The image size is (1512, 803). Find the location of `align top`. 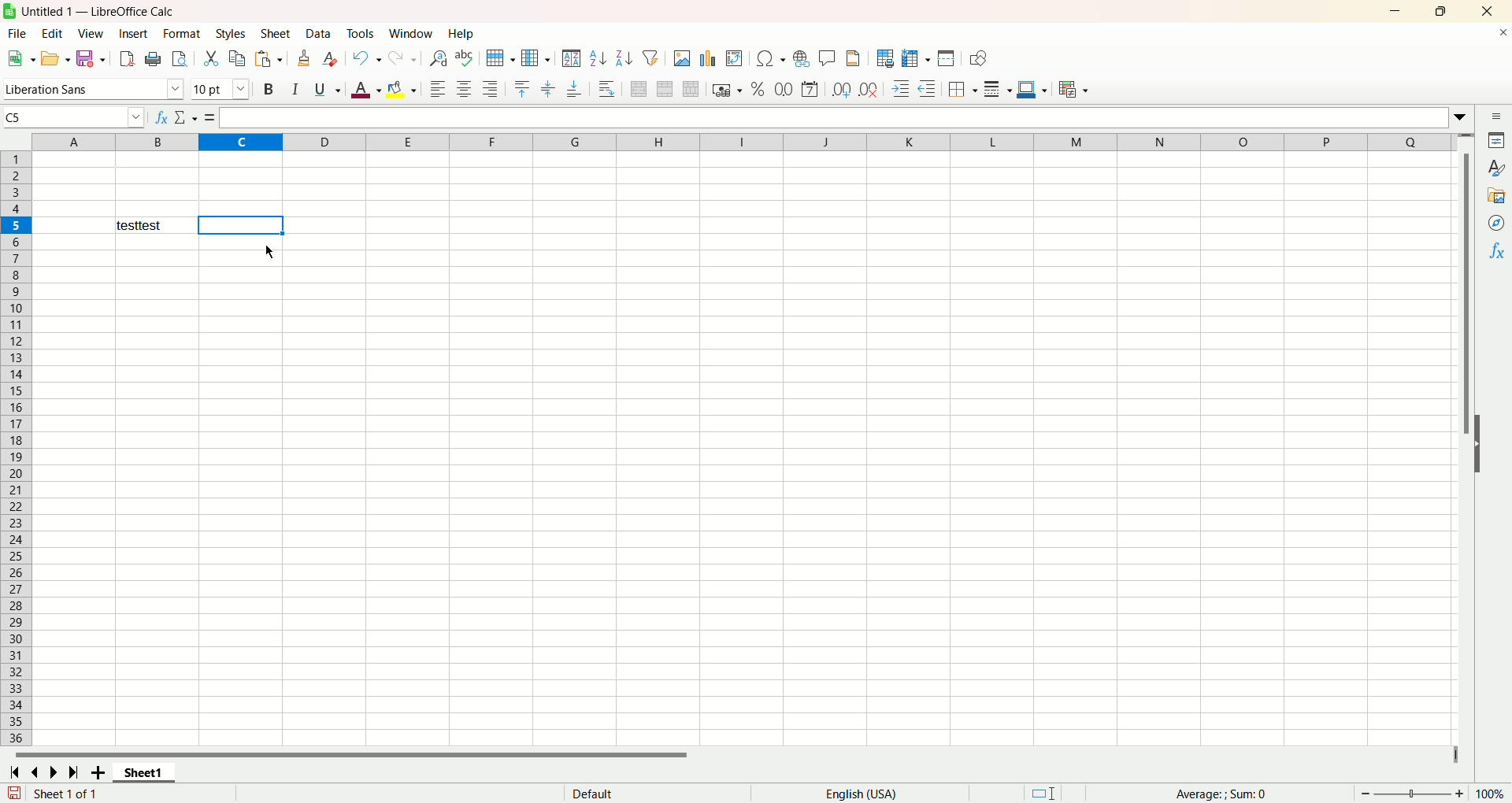

align top is located at coordinates (523, 87).